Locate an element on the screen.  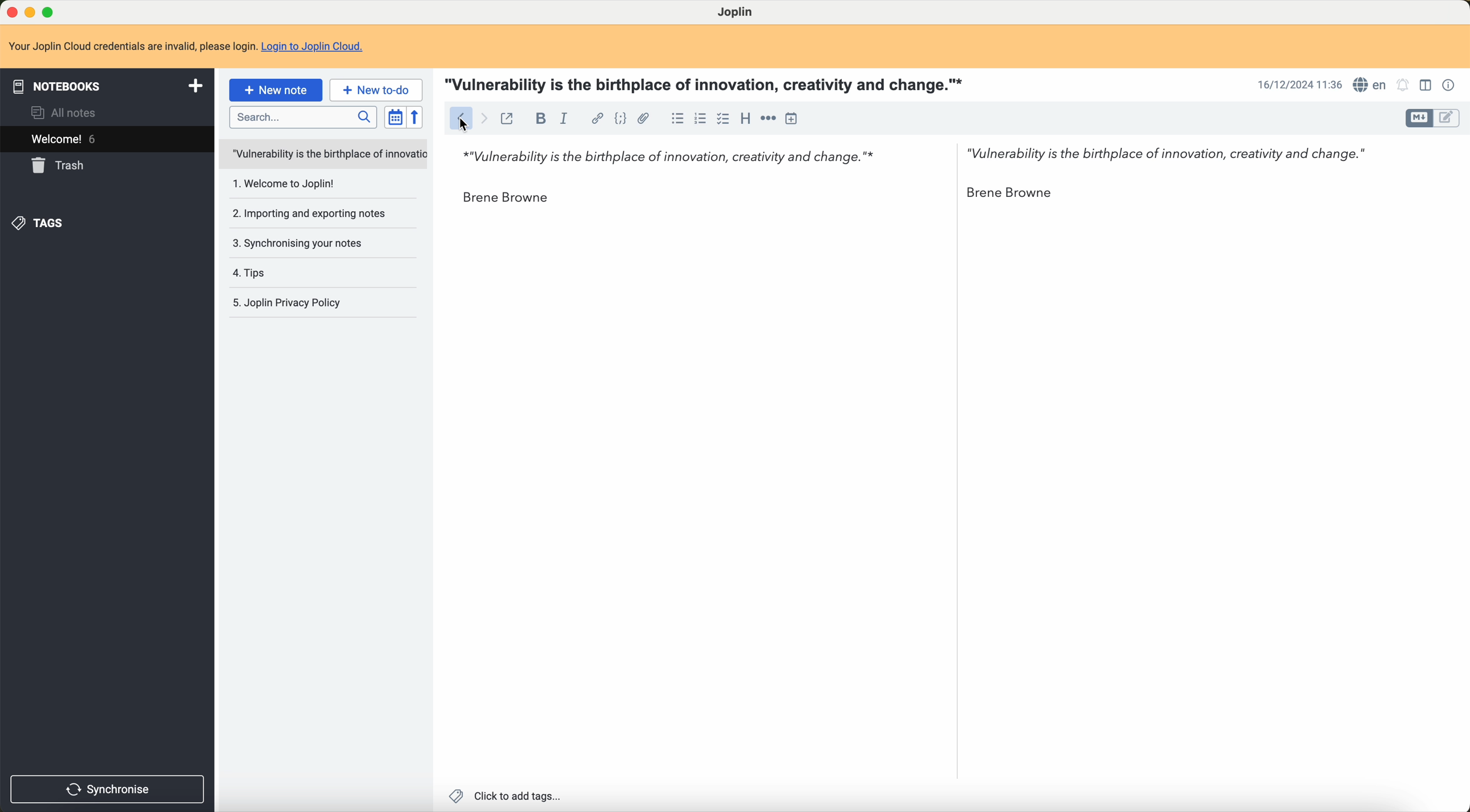
checkbox is located at coordinates (721, 119).